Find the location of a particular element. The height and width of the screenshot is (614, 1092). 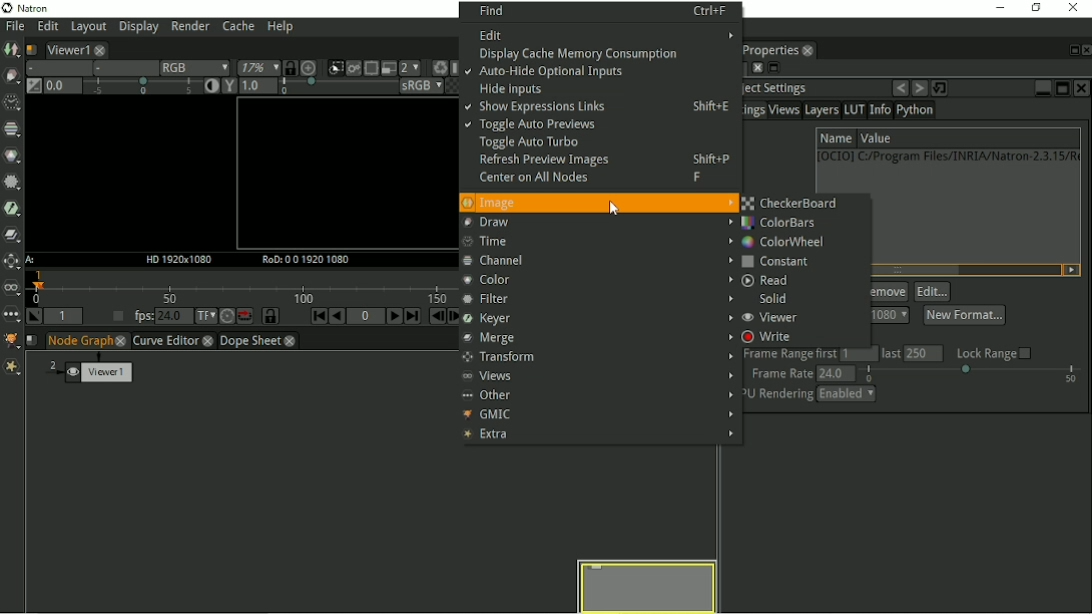

Solid is located at coordinates (779, 299).